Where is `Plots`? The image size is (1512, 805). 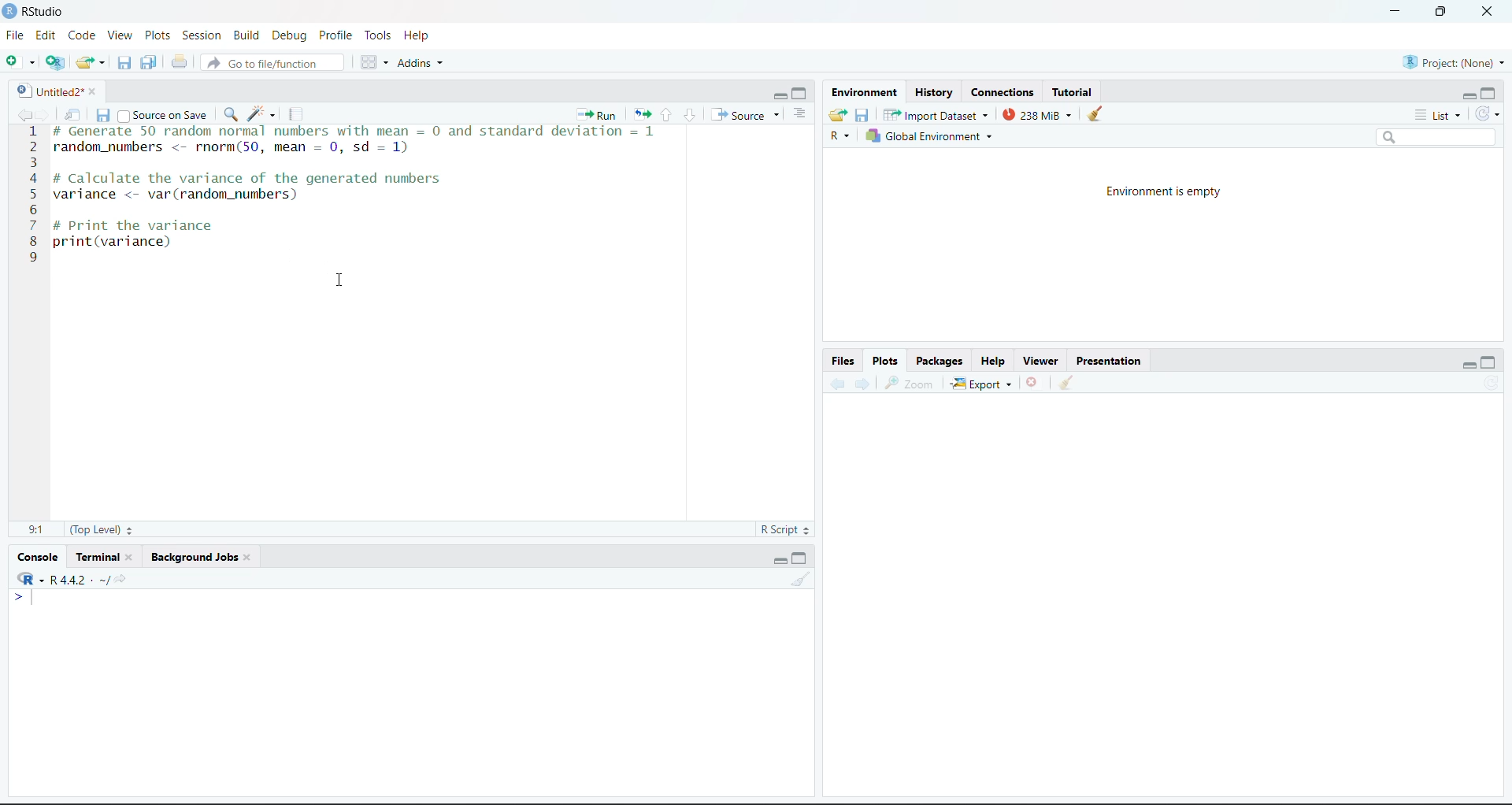 Plots is located at coordinates (157, 35).